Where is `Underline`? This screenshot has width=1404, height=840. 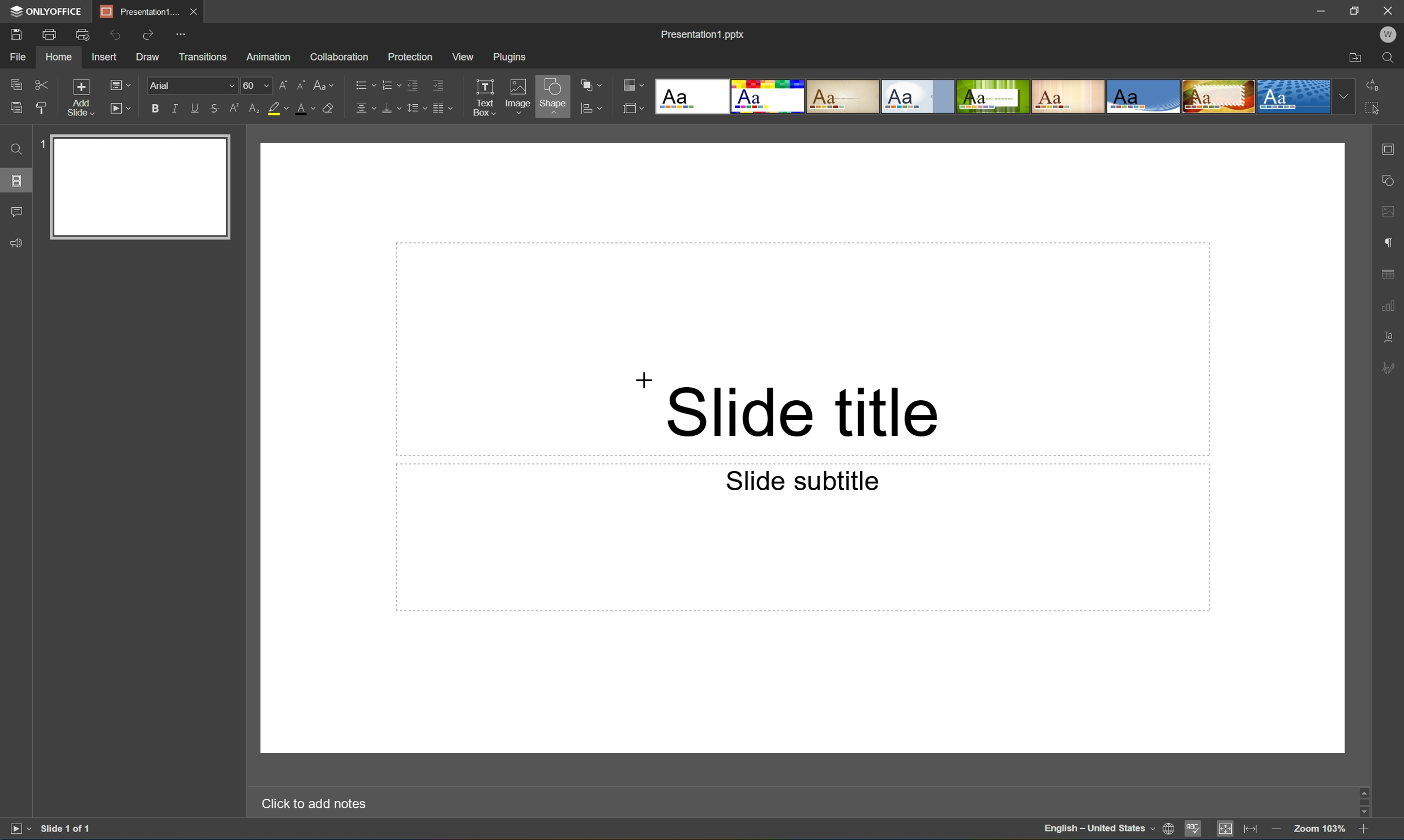 Underline is located at coordinates (194, 108).